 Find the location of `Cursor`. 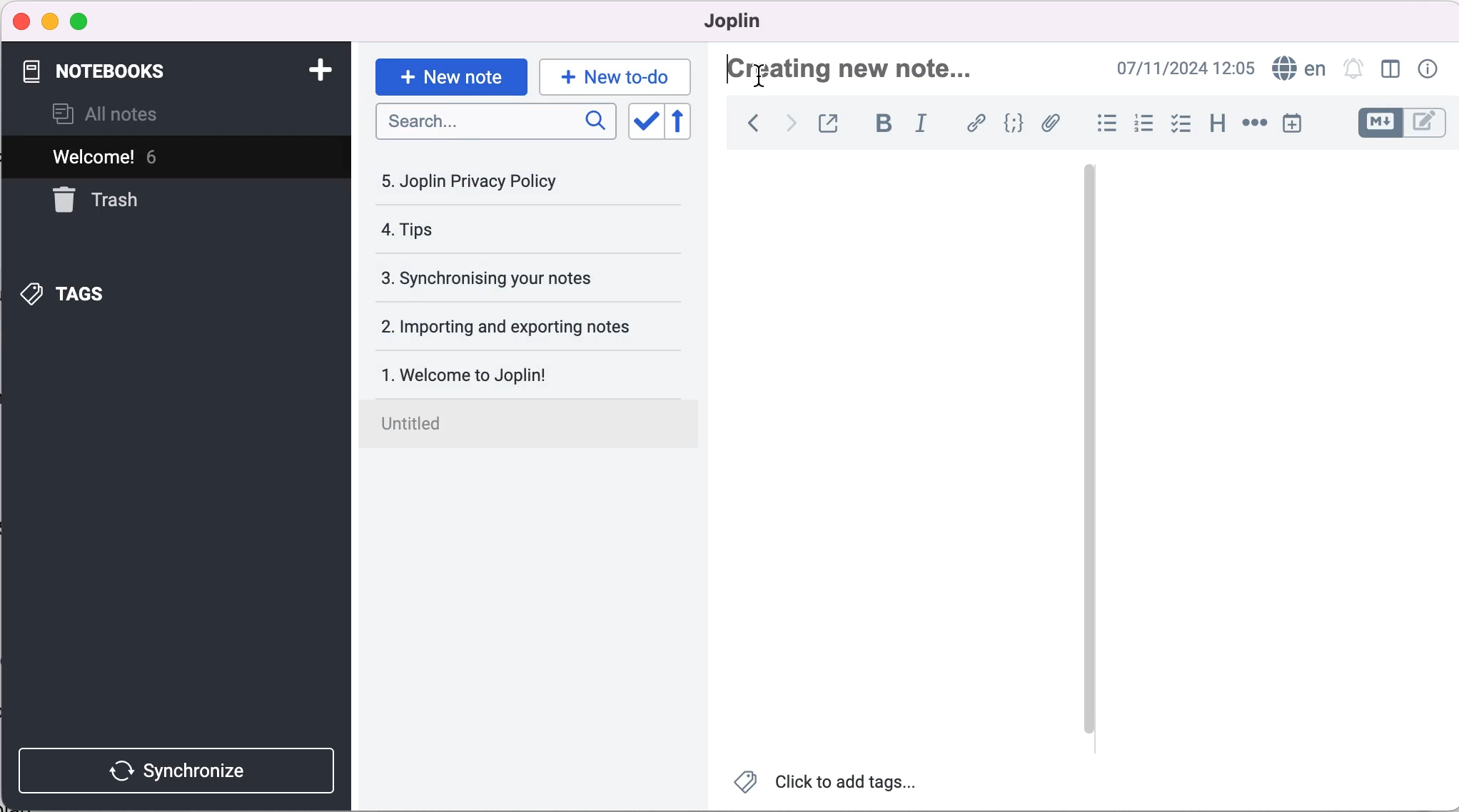

Cursor is located at coordinates (760, 77).